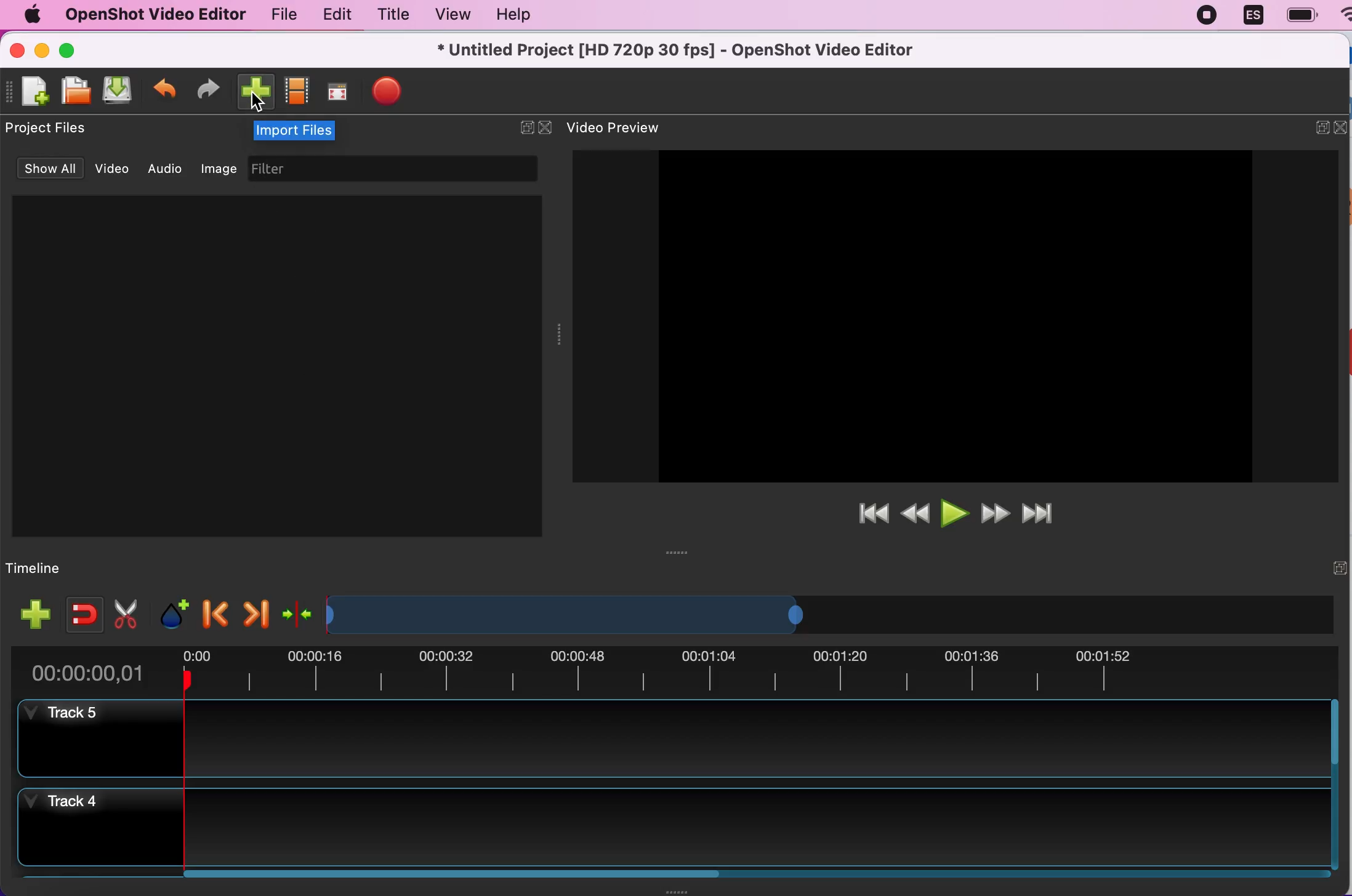 The image size is (1352, 896). Describe the element at coordinates (1325, 572) in the screenshot. I see `expand/hide` at that location.